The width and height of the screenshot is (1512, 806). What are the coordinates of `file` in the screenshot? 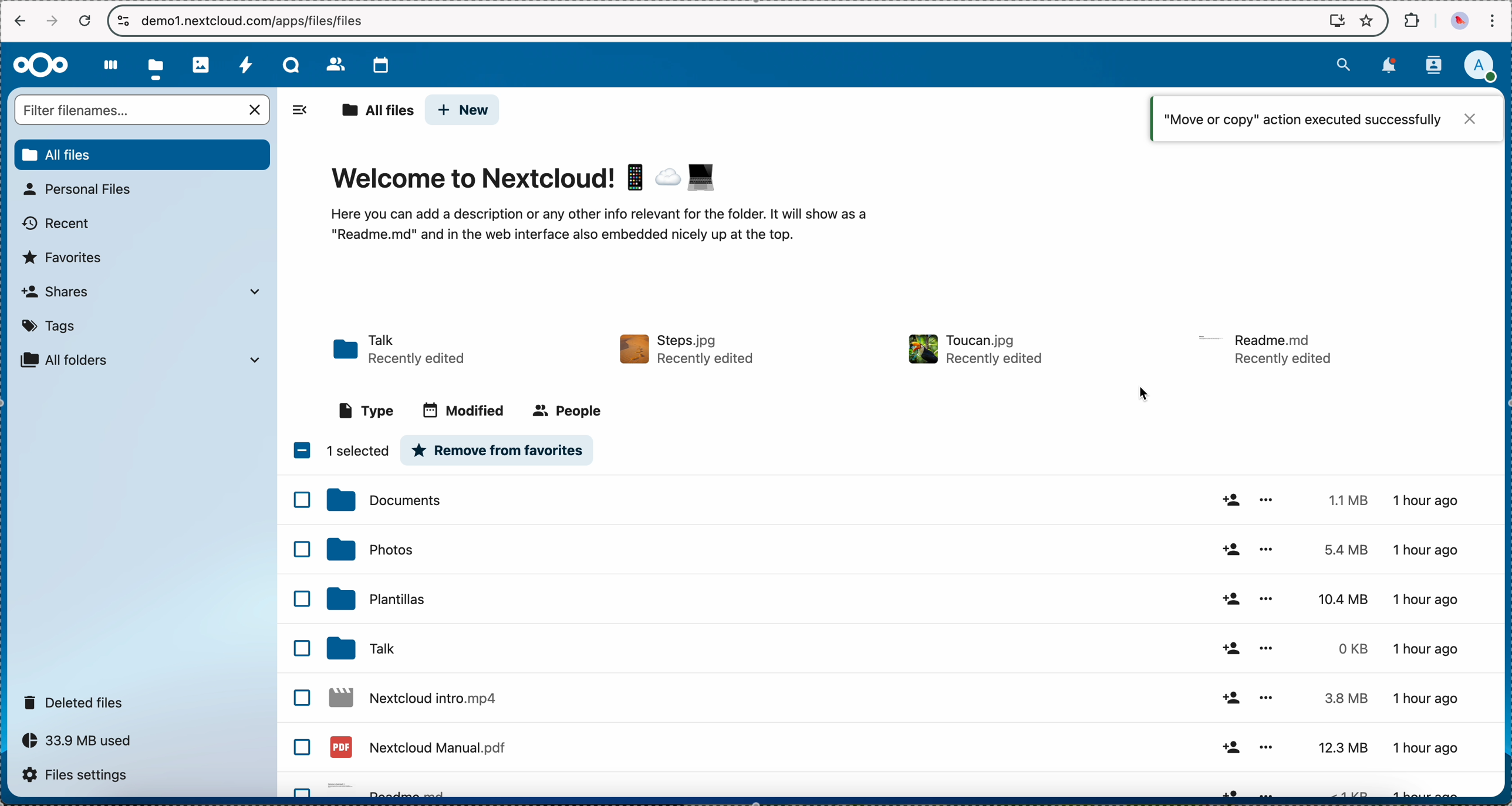 It's located at (899, 790).